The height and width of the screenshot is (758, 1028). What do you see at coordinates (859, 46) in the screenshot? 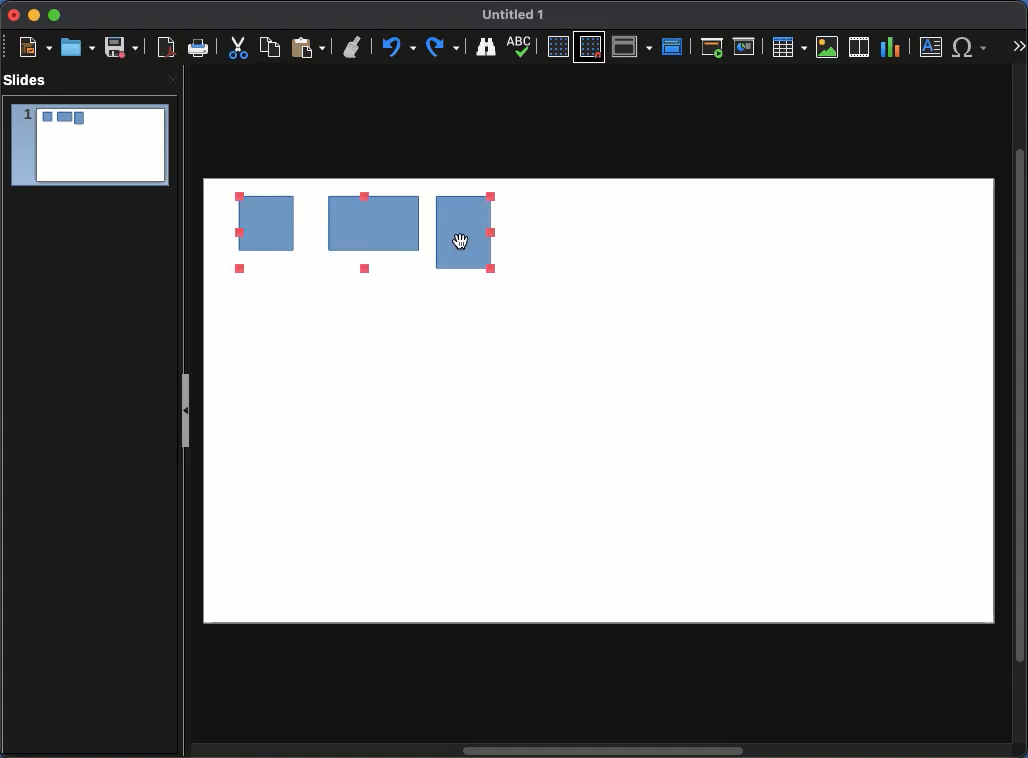
I see `Insert audio or video` at bounding box center [859, 46].